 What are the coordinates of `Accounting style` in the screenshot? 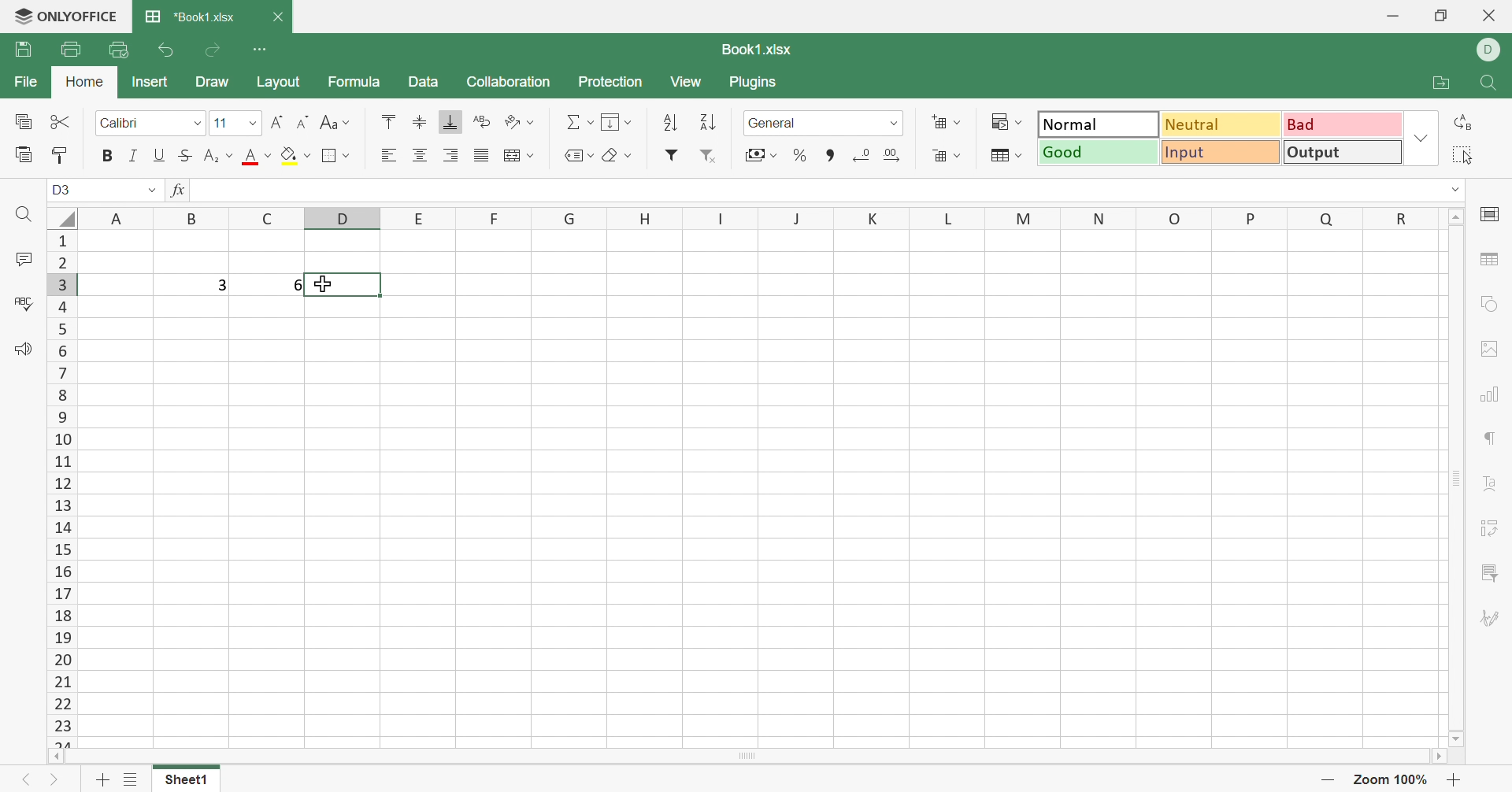 It's located at (762, 154).